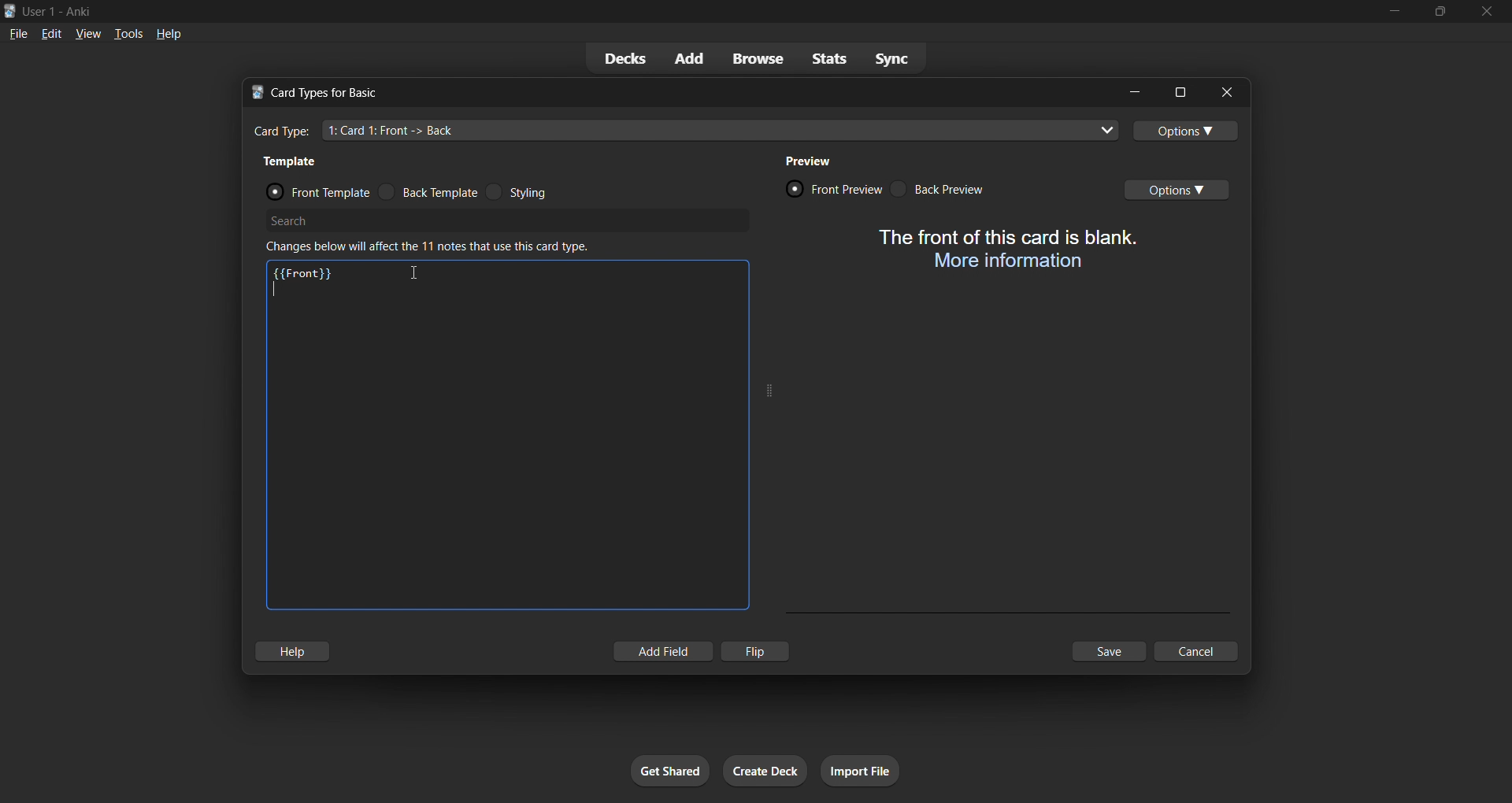 The height and width of the screenshot is (803, 1512). Describe the element at coordinates (1384, 12) in the screenshot. I see `minimize` at that location.